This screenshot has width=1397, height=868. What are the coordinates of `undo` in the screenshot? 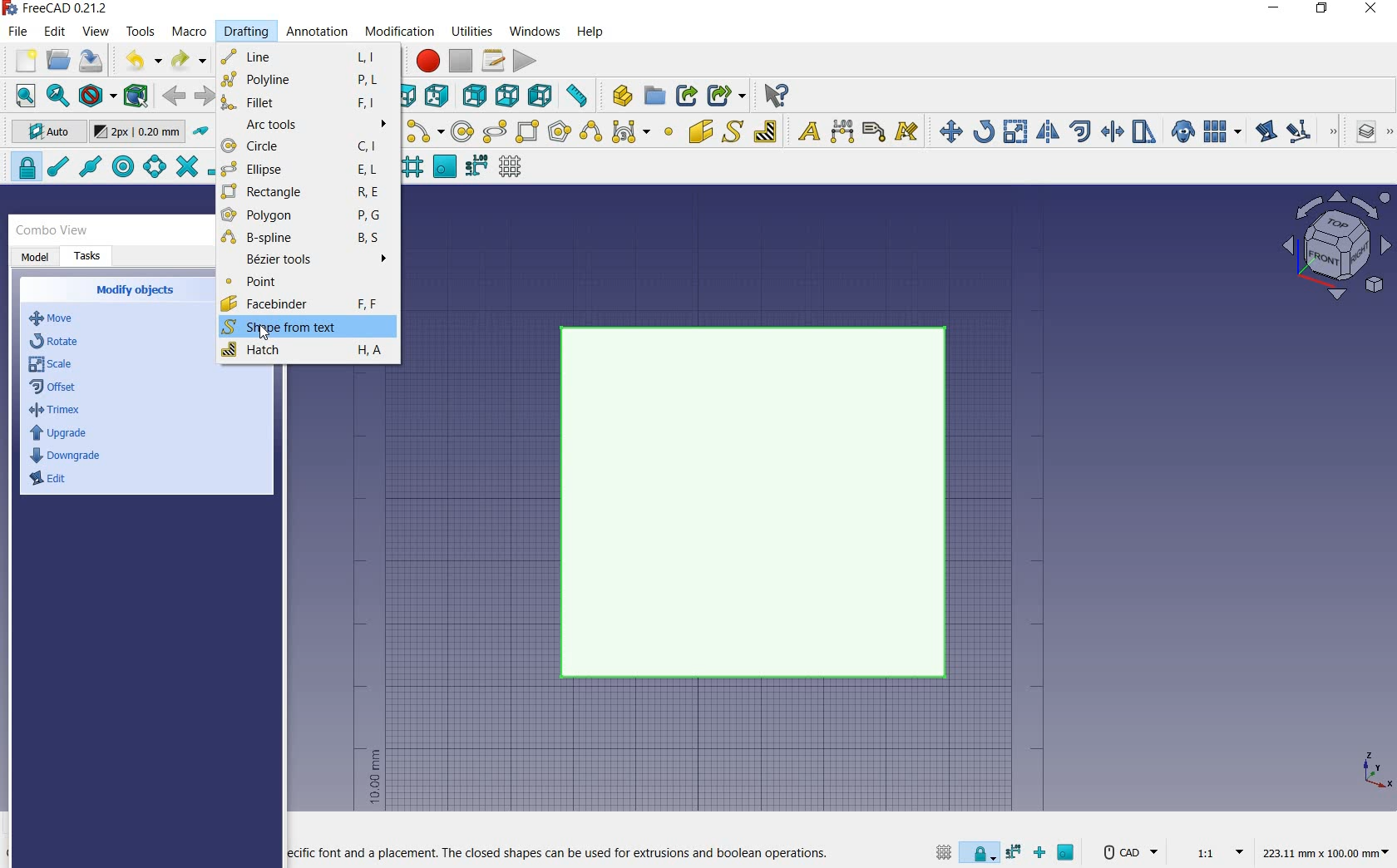 It's located at (142, 60).